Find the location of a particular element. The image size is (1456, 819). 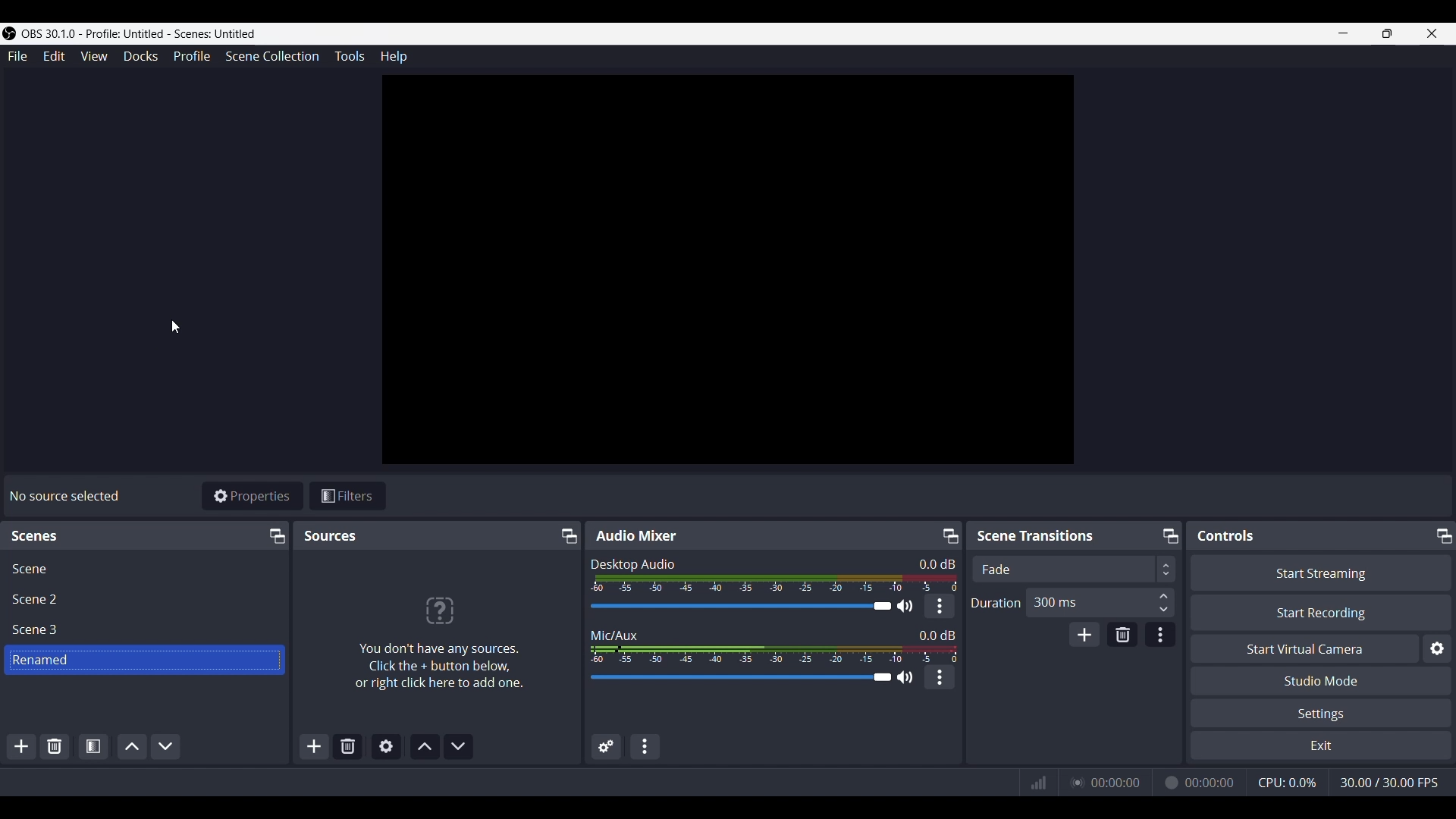

Move source(s) up is located at coordinates (425, 746).